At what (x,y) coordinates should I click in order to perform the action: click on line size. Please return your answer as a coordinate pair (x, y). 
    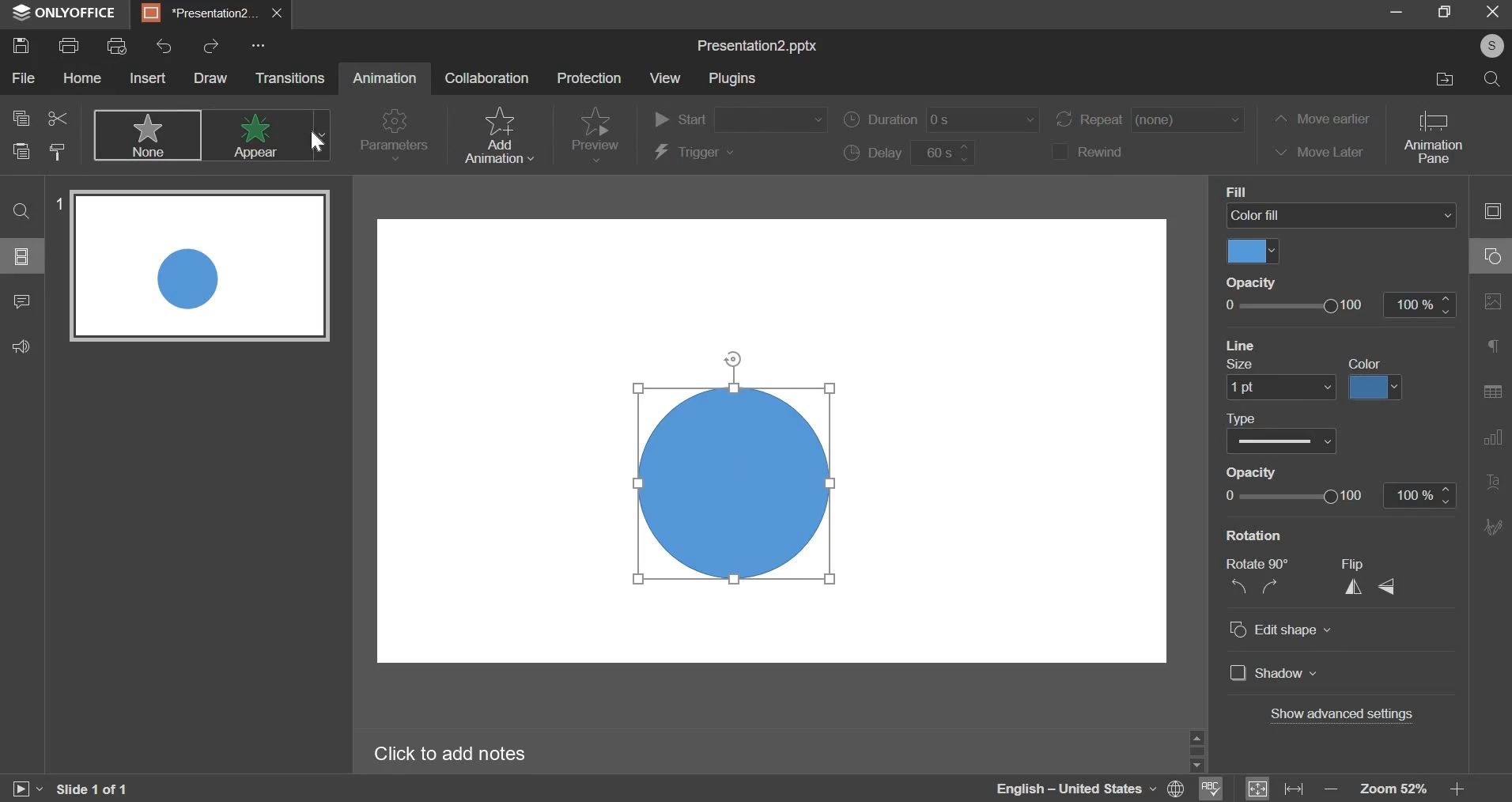
    Looking at the image, I should click on (1276, 389).